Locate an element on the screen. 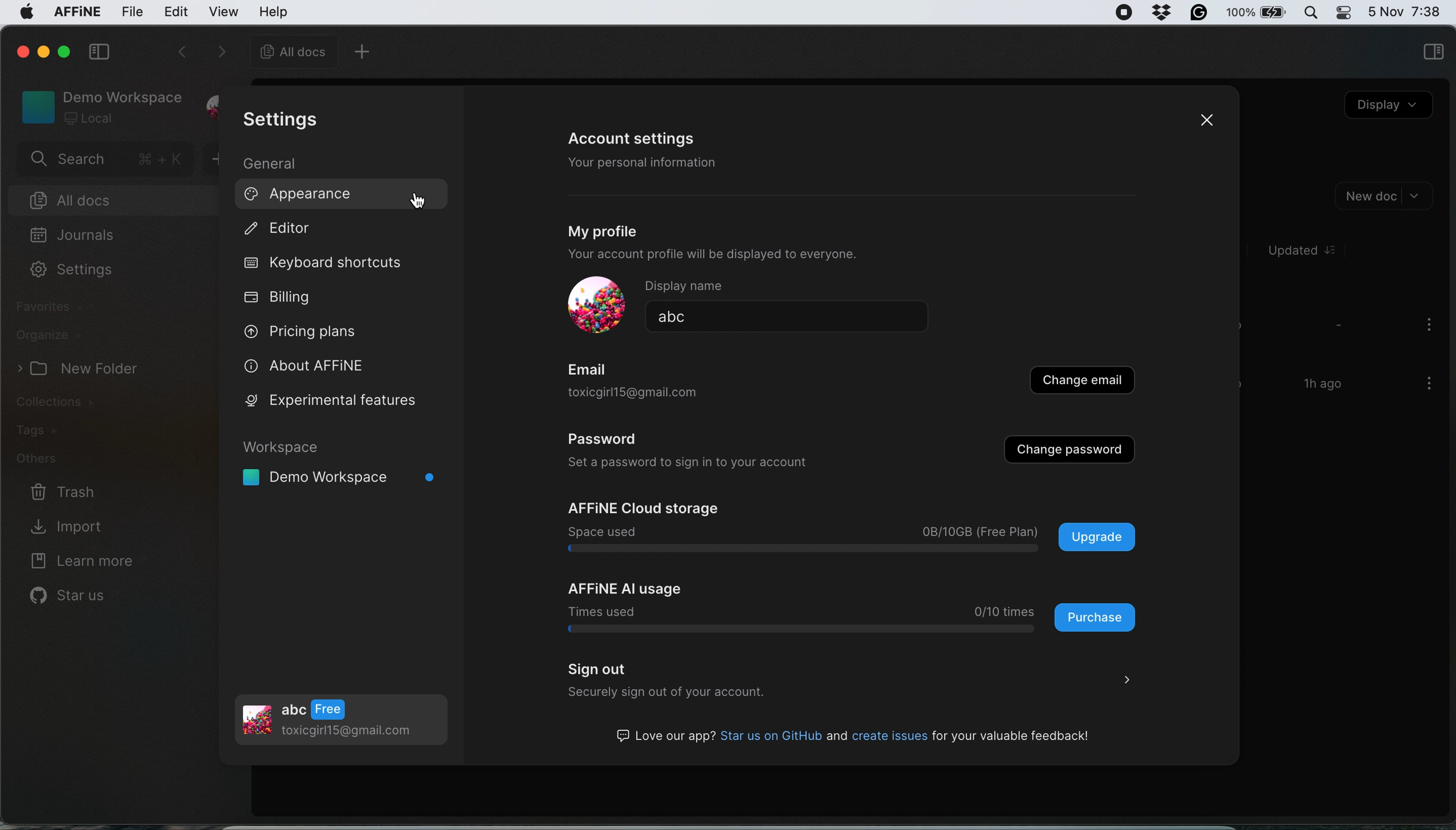 Image resolution: width=1456 pixels, height=830 pixels. affine cloud storage is located at coordinates (642, 507).